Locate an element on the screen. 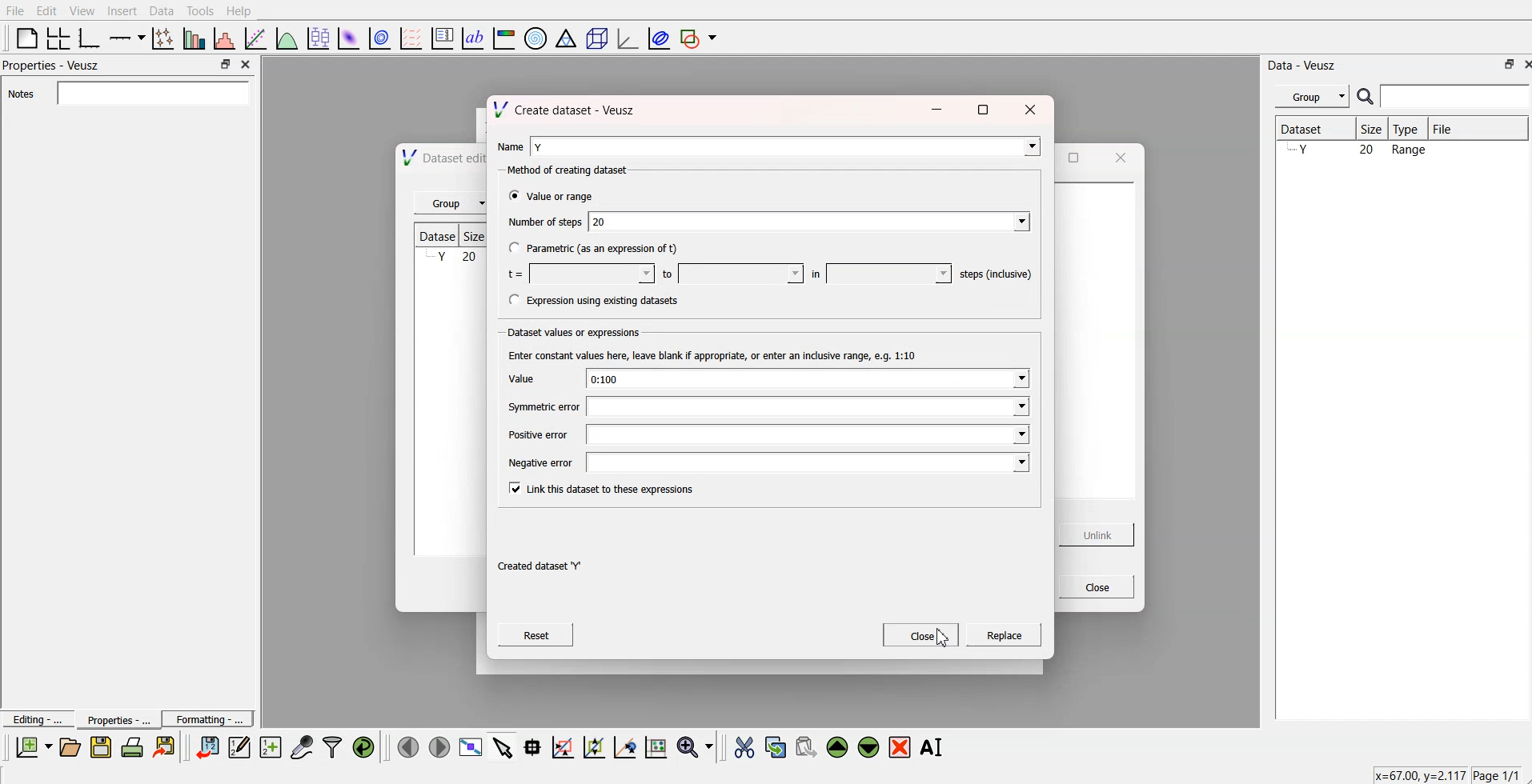  ternary graph is located at coordinates (567, 37).